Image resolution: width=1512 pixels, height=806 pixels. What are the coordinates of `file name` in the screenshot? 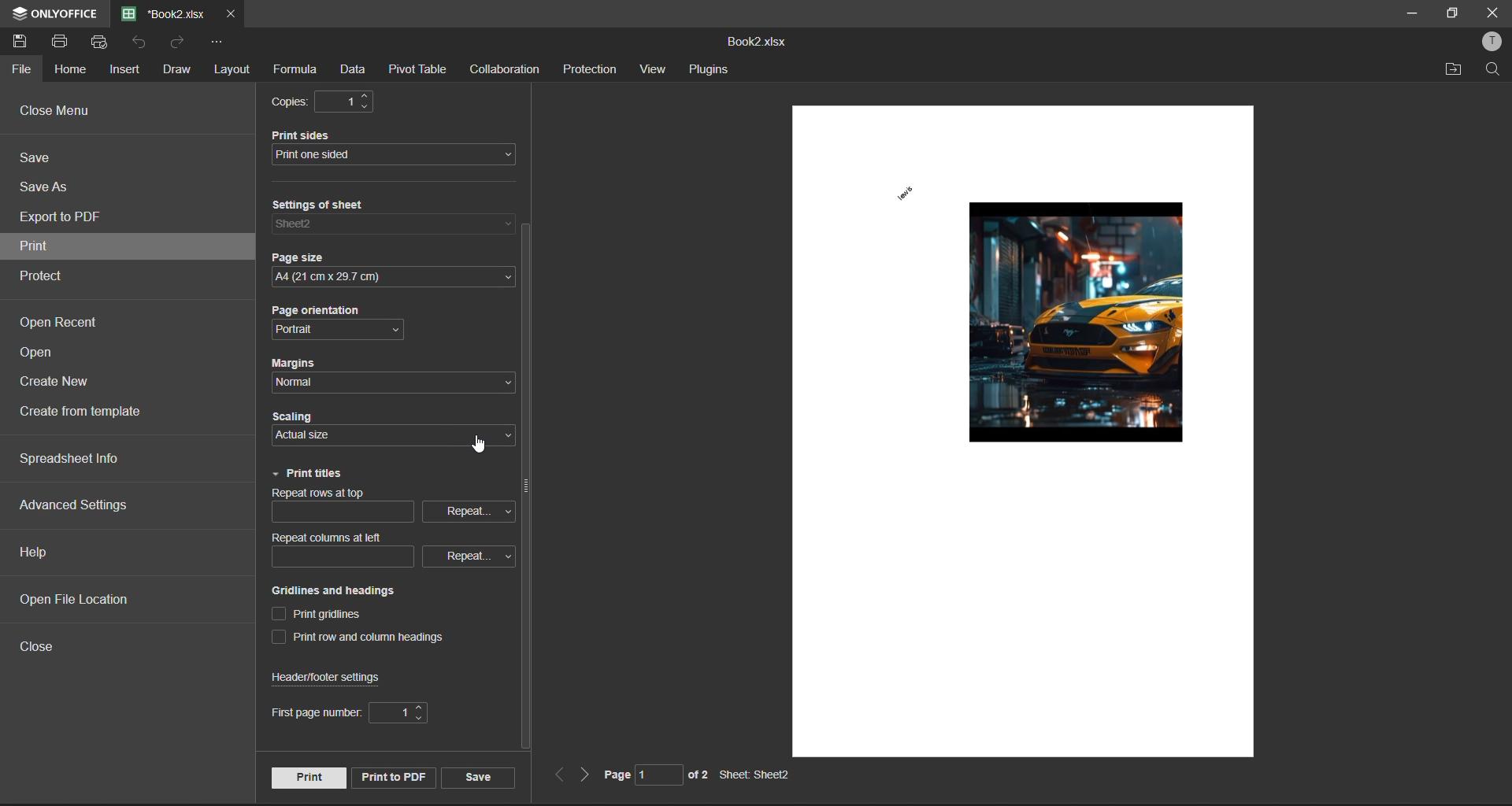 It's located at (164, 13).